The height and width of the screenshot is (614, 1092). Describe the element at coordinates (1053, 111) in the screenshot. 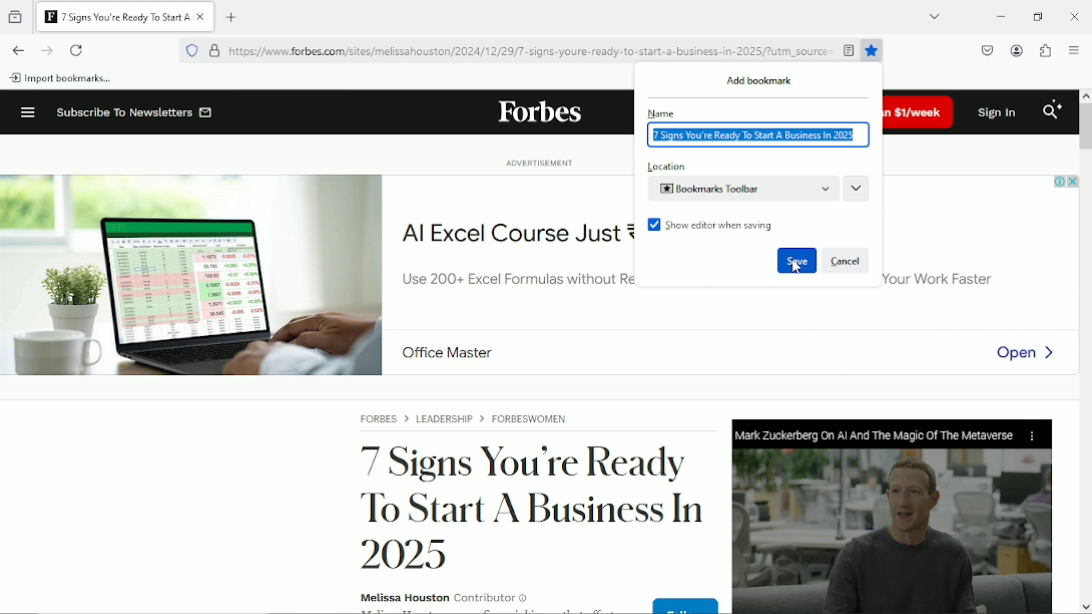

I see `Search` at that location.